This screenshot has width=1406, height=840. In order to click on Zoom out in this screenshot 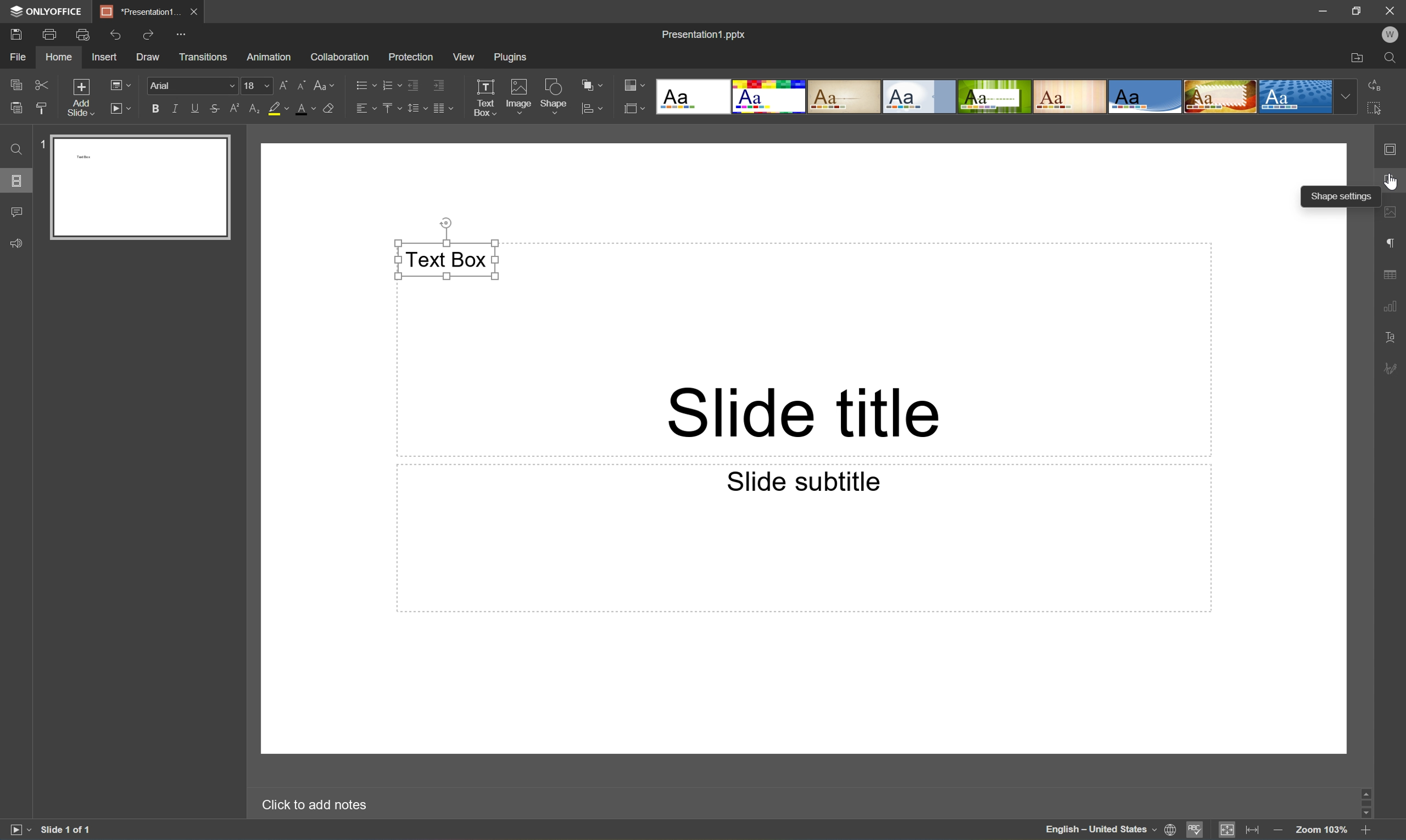, I will do `click(1278, 829)`.